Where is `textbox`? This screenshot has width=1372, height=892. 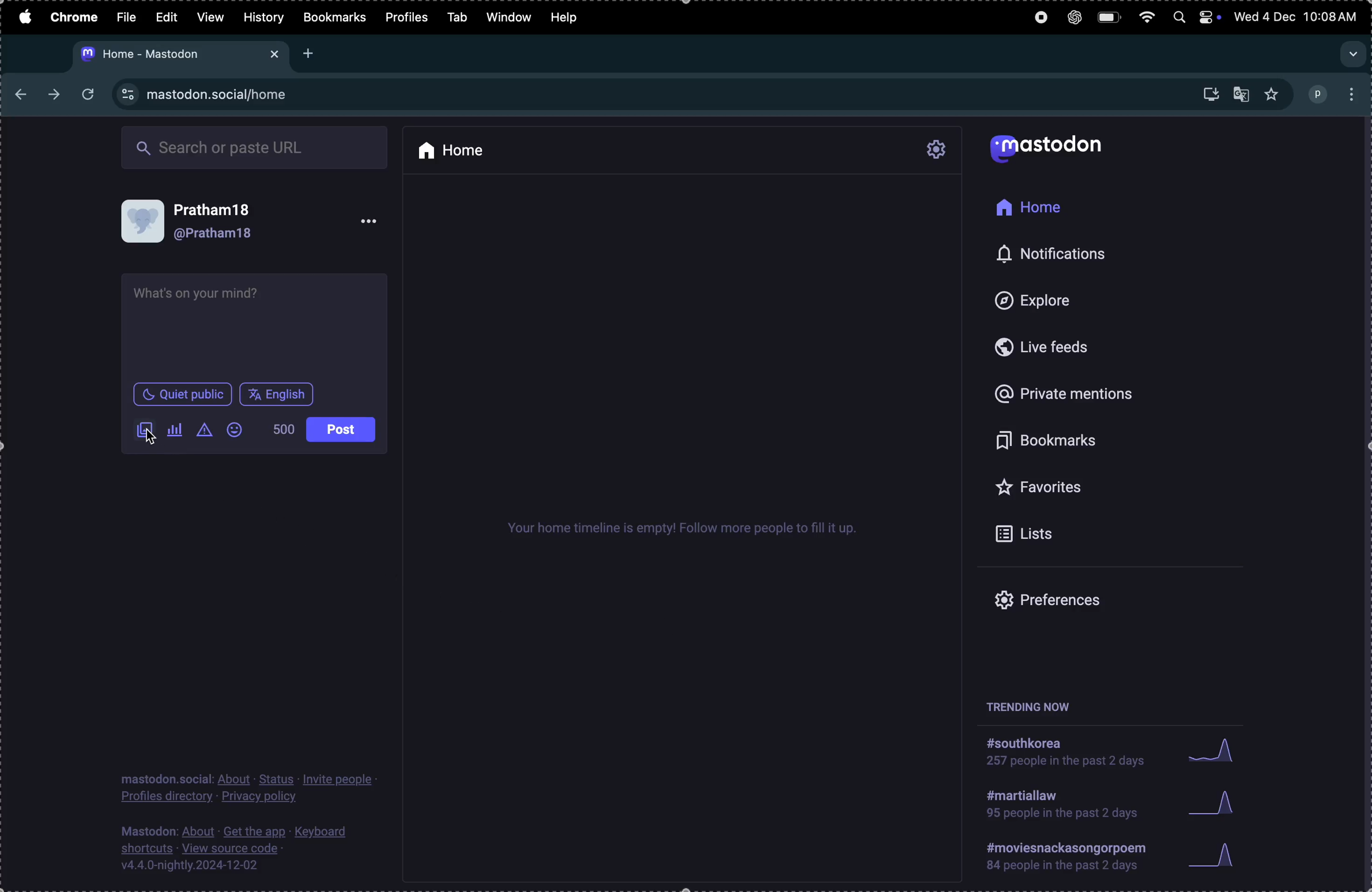
textbox is located at coordinates (255, 329).